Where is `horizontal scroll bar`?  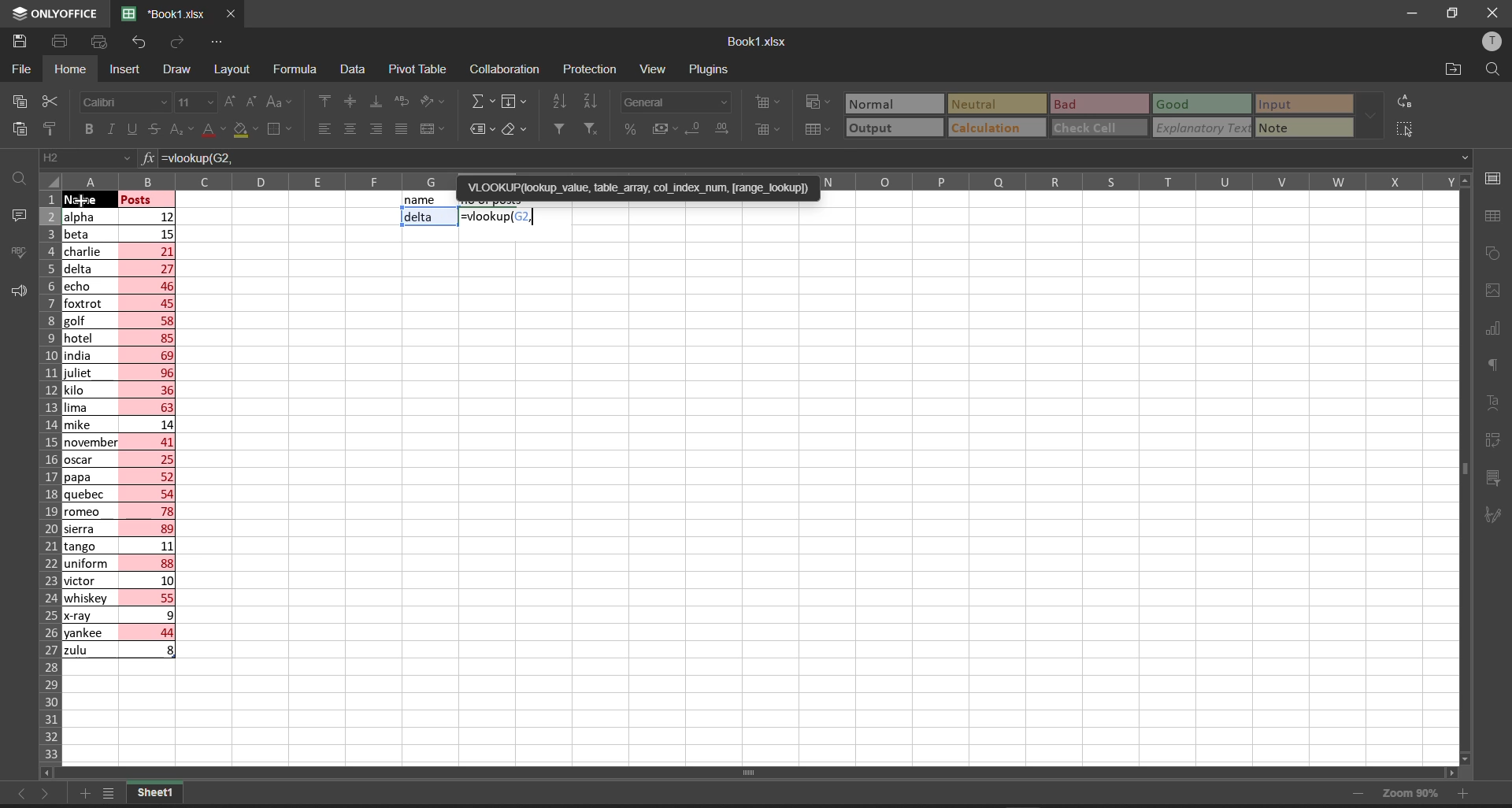 horizontal scroll bar is located at coordinates (753, 773).